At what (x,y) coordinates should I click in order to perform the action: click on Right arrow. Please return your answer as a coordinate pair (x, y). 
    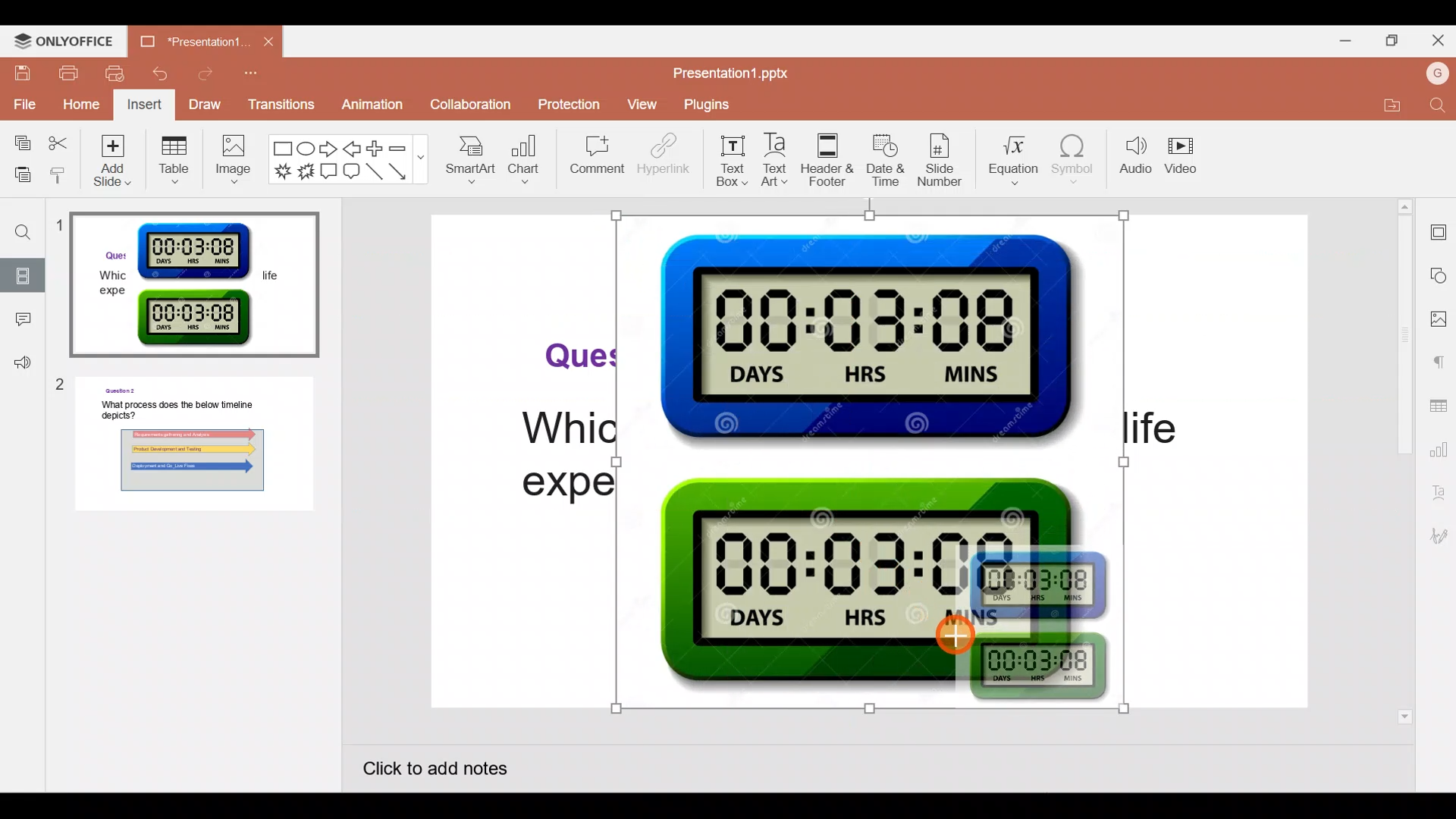
    Looking at the image, I should click on (331, 150).